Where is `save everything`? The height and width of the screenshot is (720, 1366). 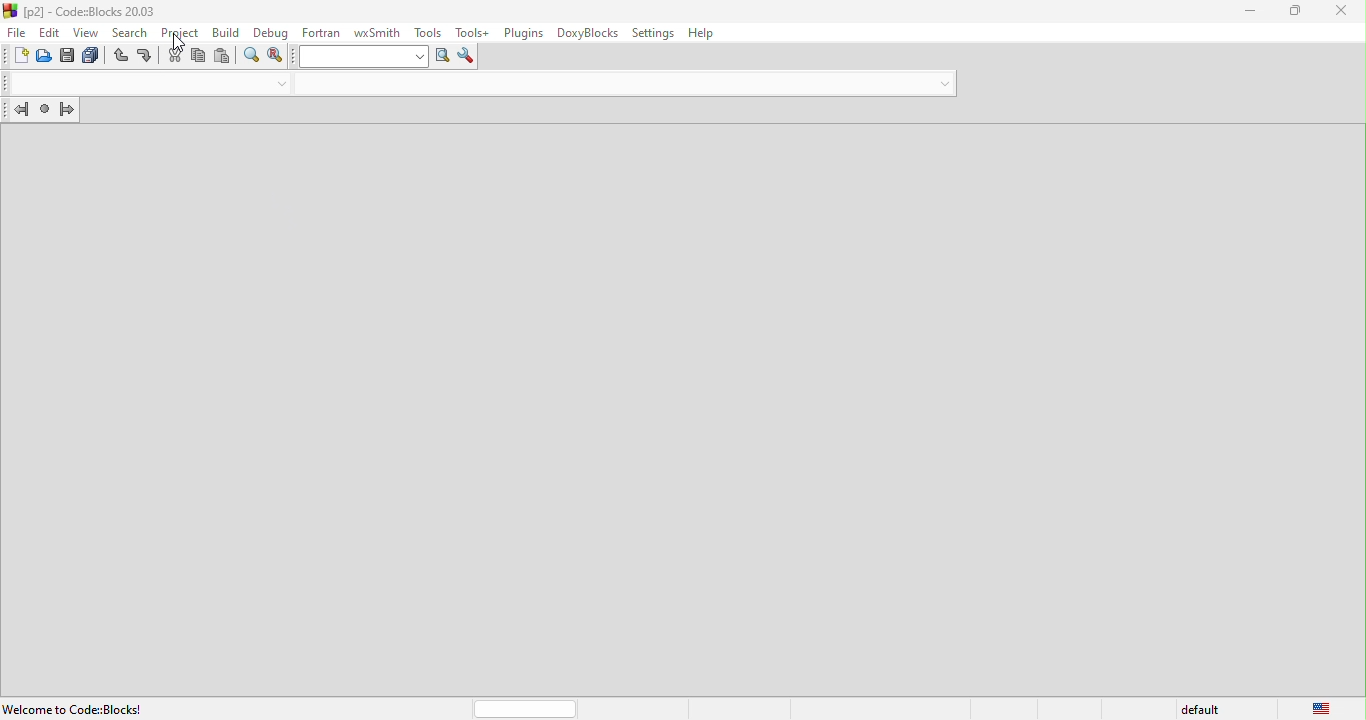
save everything is located at coordinates (94, 57).